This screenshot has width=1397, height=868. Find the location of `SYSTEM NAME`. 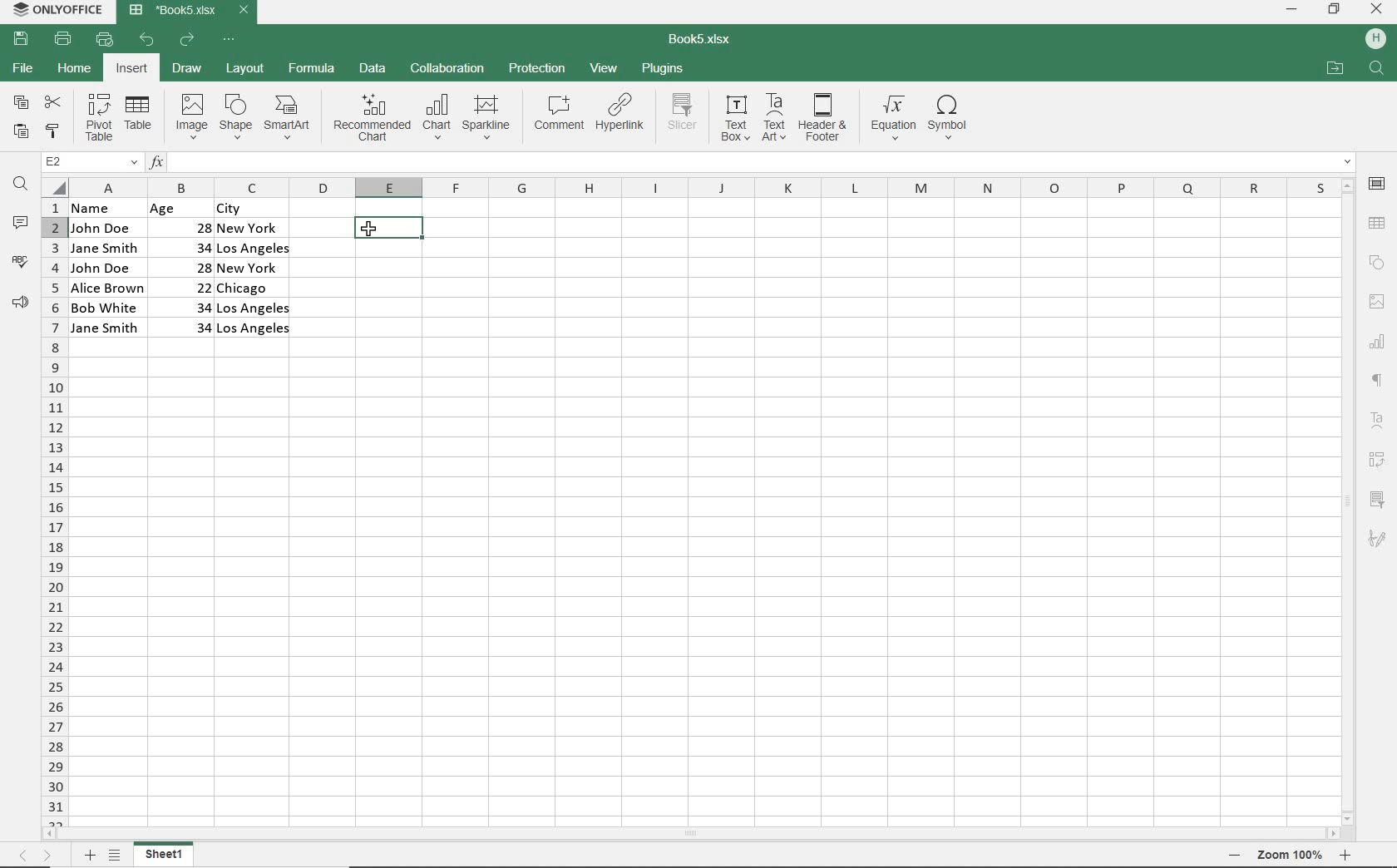

SYSTEM NAME is located at coordinates (60, 9).